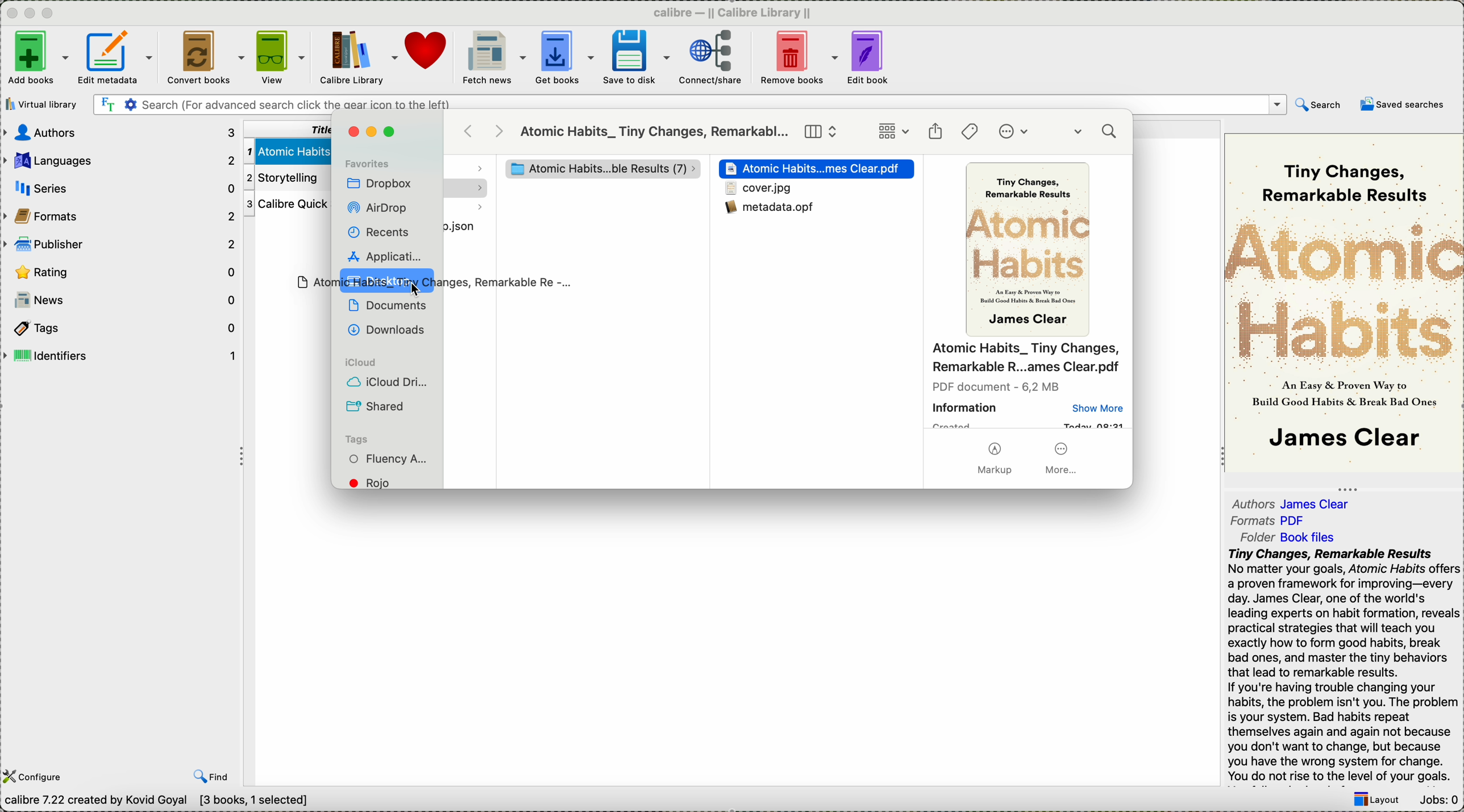 The width and height of the screenshot is (1464, 812). What do you see at coordinates (711, 60) in the screenshot?
I see `connect/share` at bounding box center [711, 60].